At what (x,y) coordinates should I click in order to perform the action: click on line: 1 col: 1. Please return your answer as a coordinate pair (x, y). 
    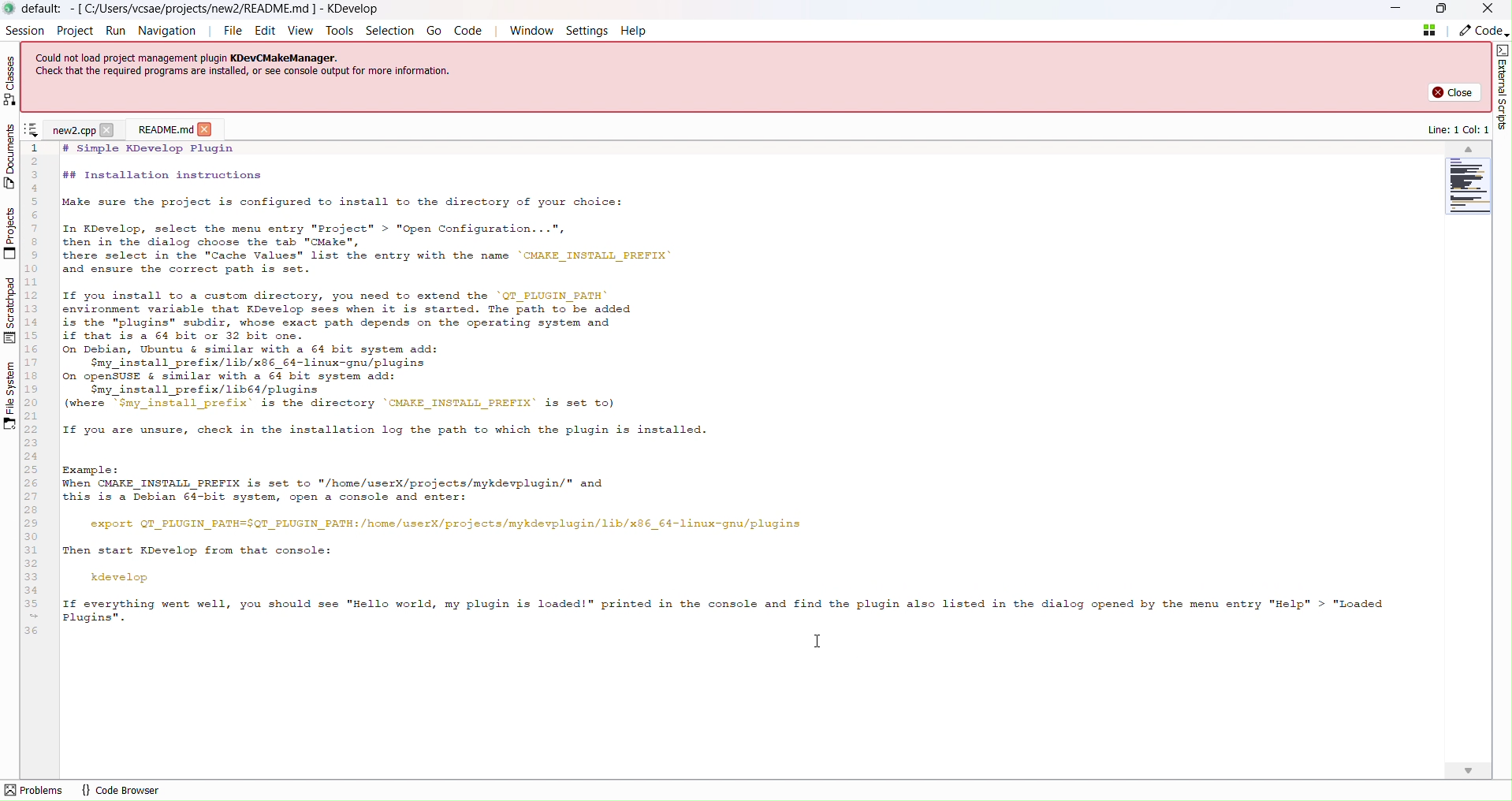
    Looking at the image, I should click on (1458, 130).